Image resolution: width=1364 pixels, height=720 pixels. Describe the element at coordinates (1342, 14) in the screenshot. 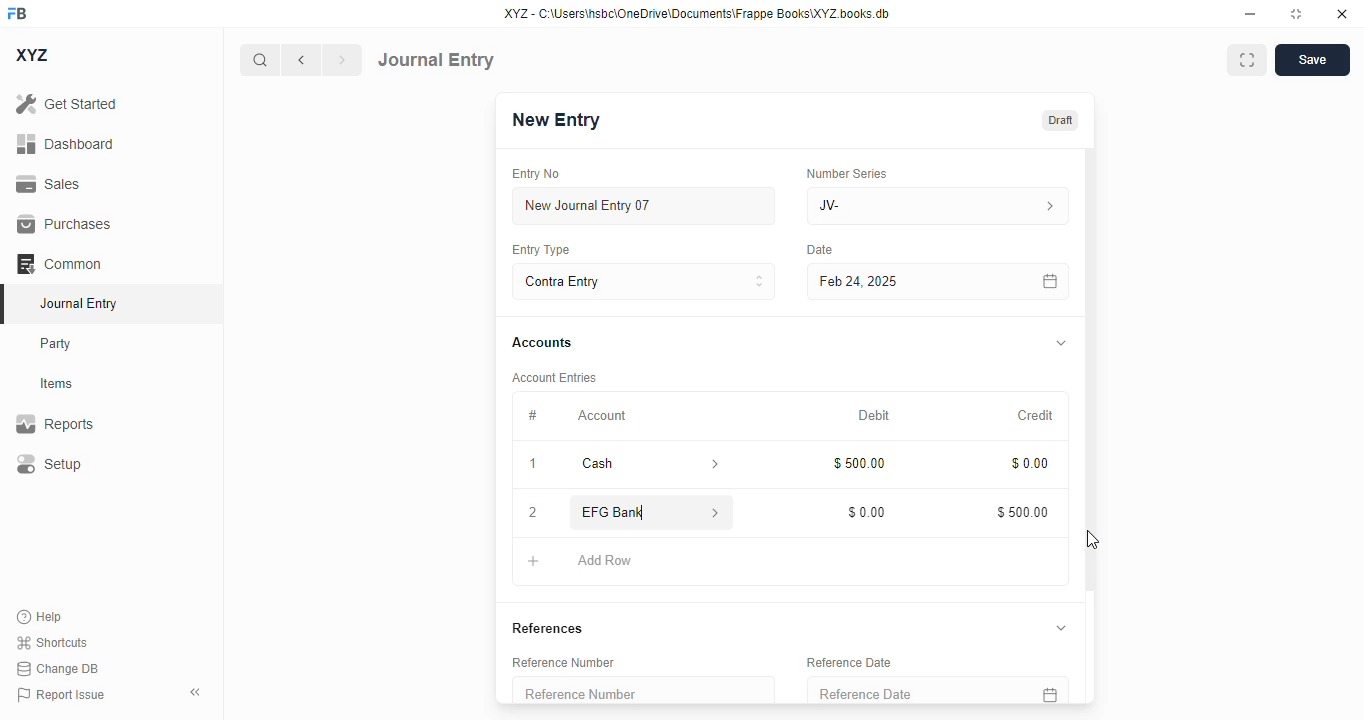

I see `close` at that location.